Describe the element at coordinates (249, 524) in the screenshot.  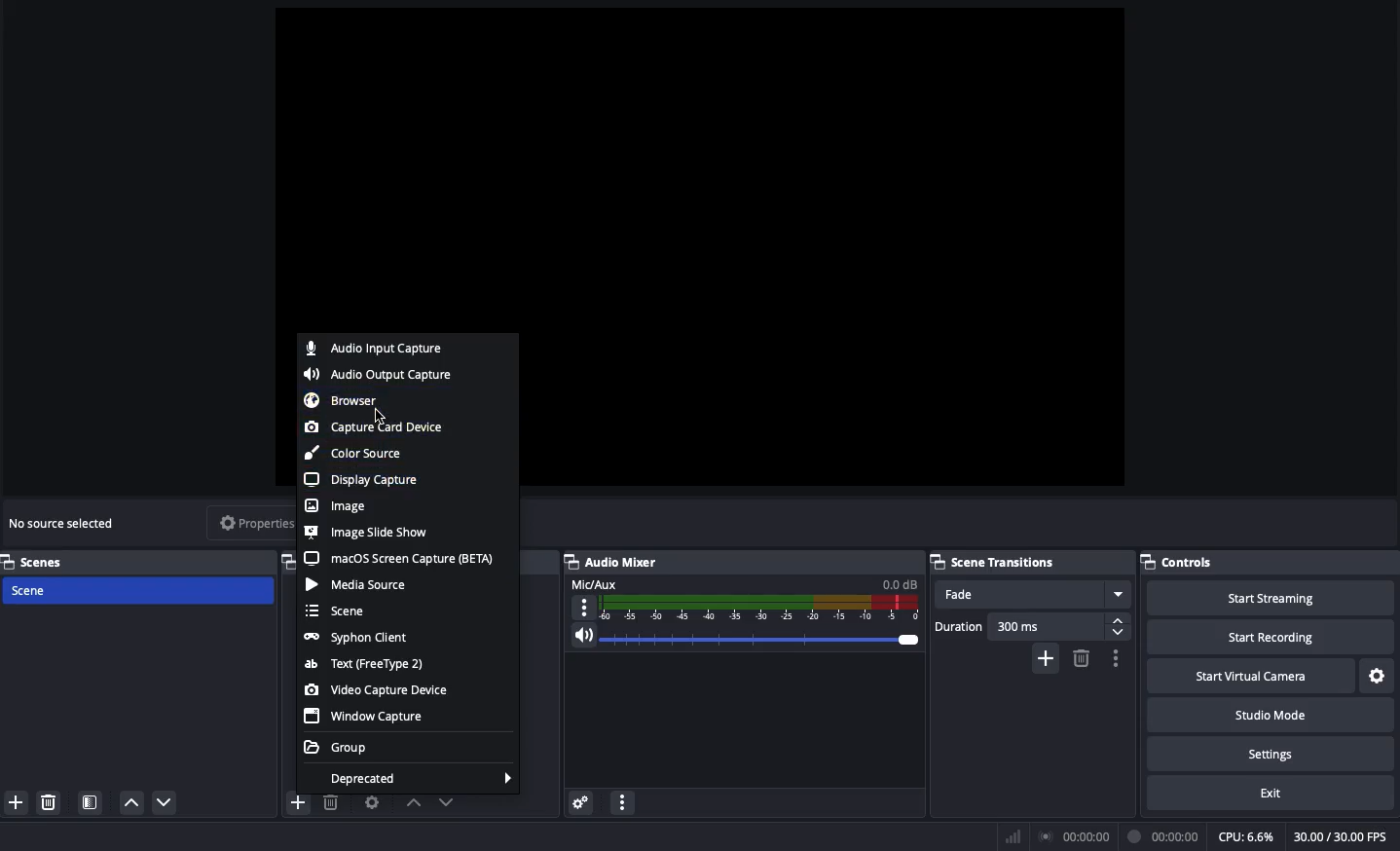
I see `Properties` at that location.